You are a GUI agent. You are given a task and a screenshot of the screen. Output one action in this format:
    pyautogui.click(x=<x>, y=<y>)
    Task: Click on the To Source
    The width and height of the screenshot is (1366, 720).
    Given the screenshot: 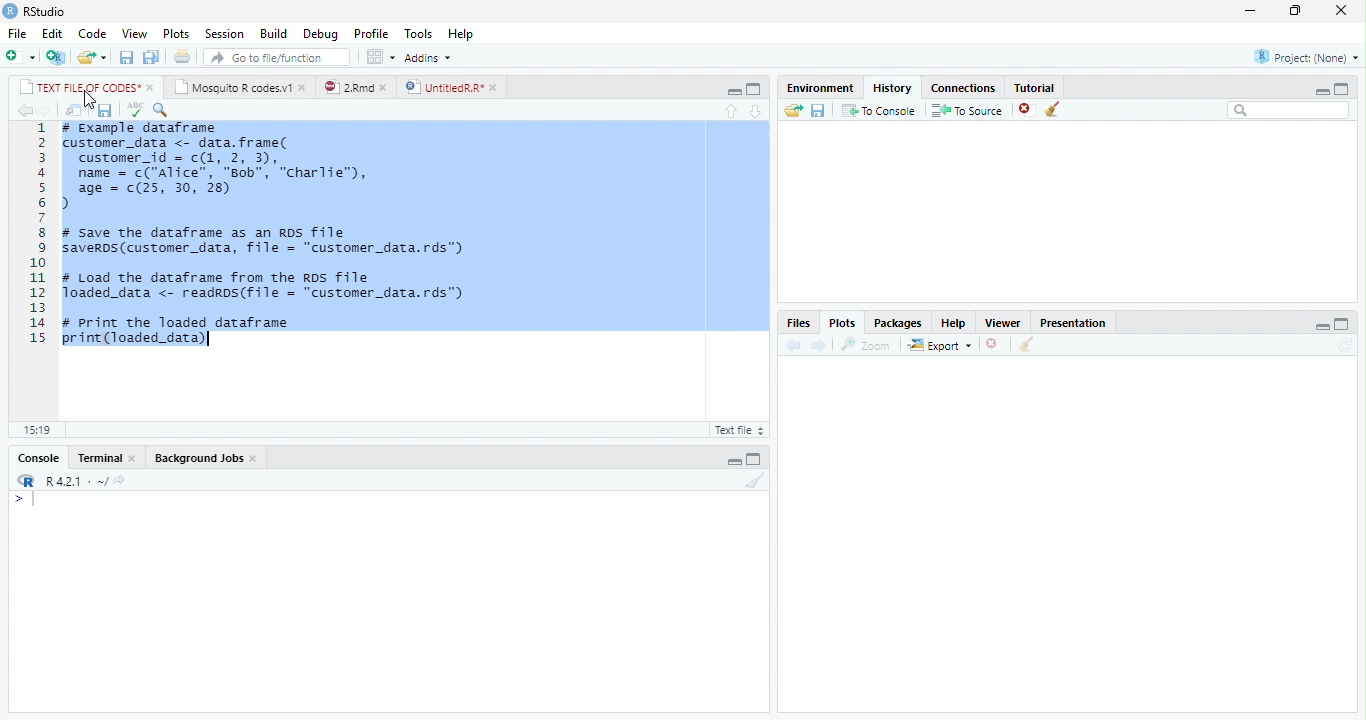 What is the action you would take?
    pyautogui.click(x=966, y=110)
    